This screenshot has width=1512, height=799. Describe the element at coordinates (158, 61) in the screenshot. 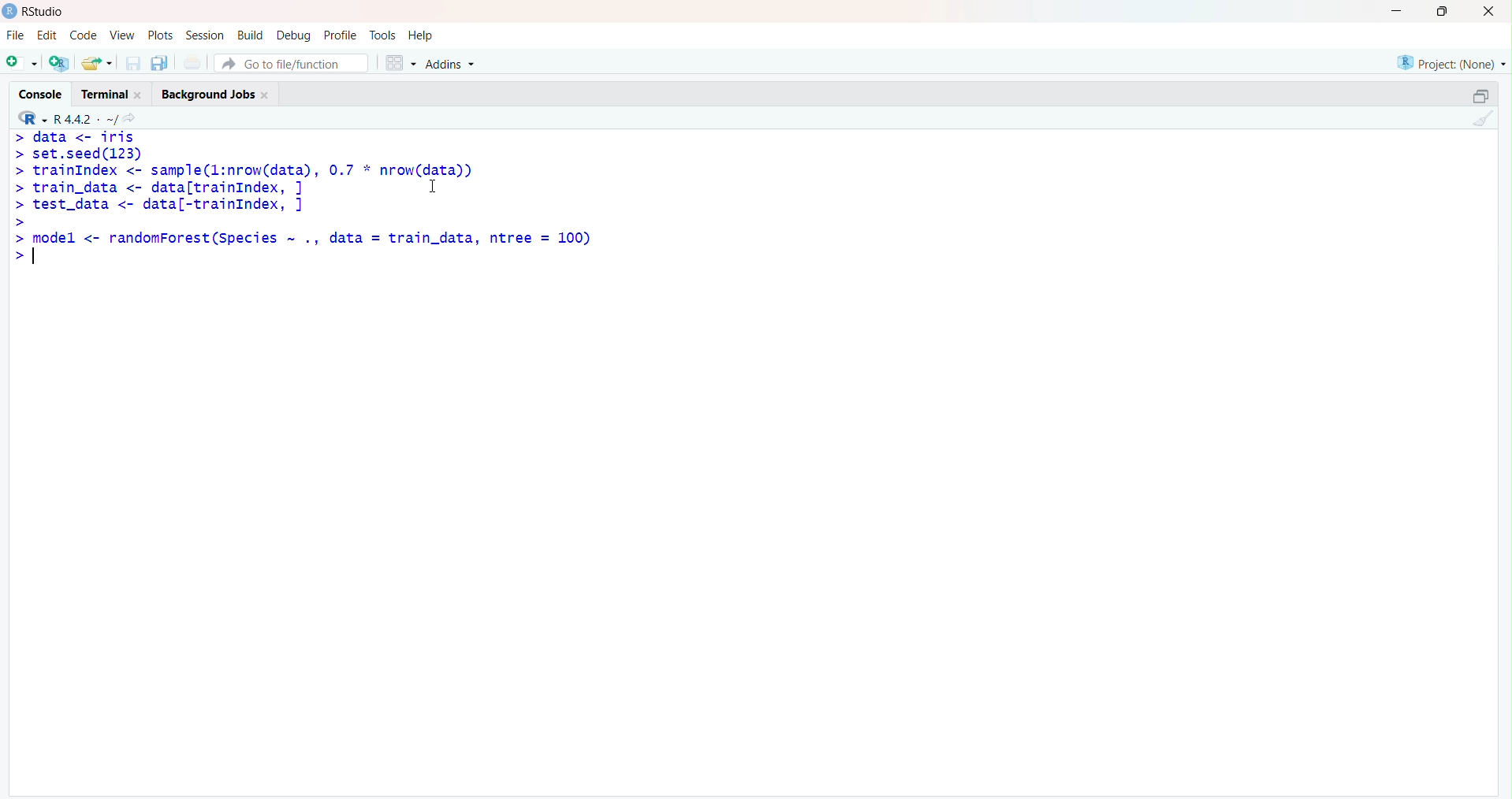

I see `Save all open documents (Ctrl + Alt + S)` at that location.